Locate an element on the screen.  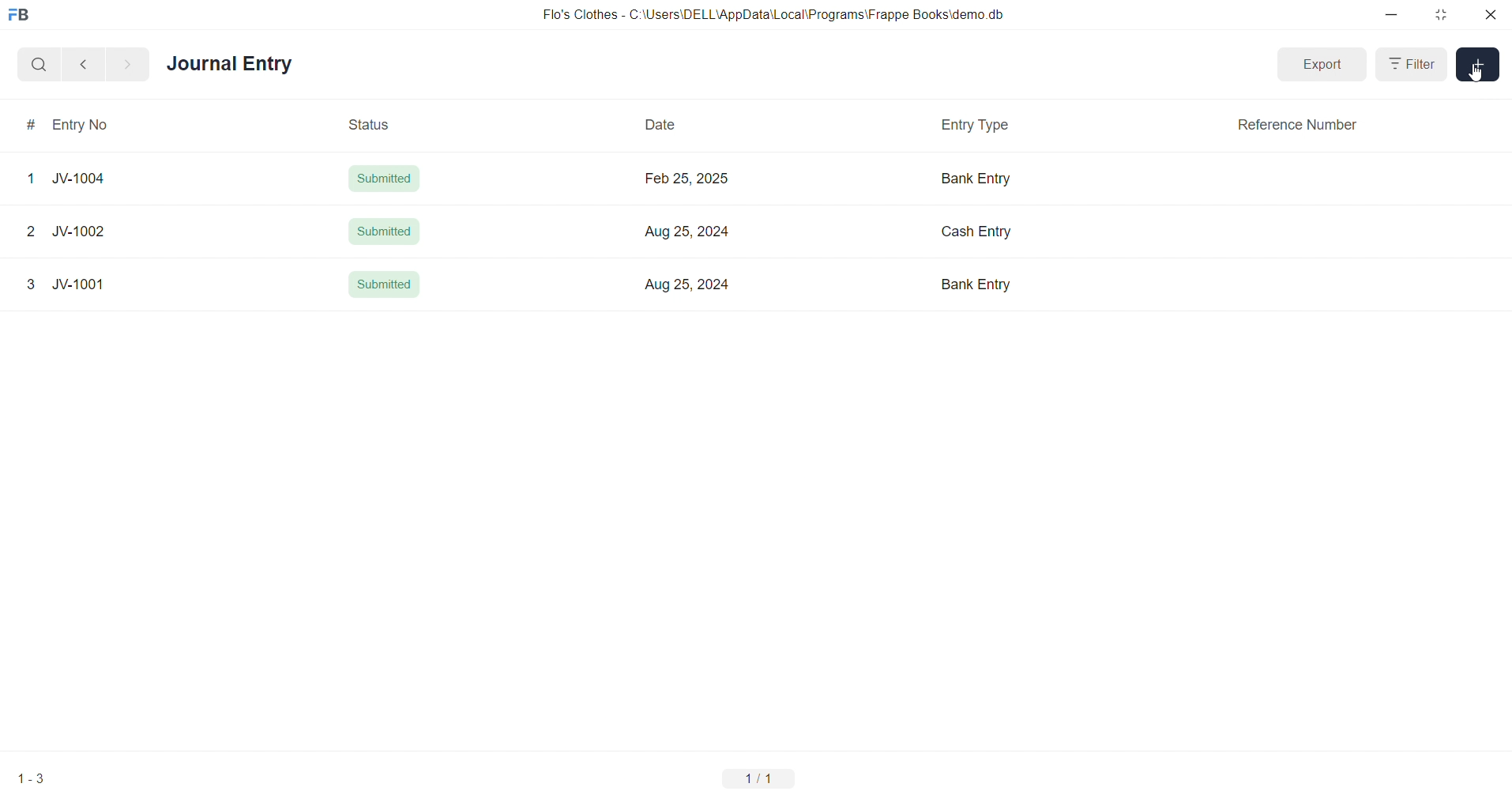
minimize is located at coordinates (1390, 16).